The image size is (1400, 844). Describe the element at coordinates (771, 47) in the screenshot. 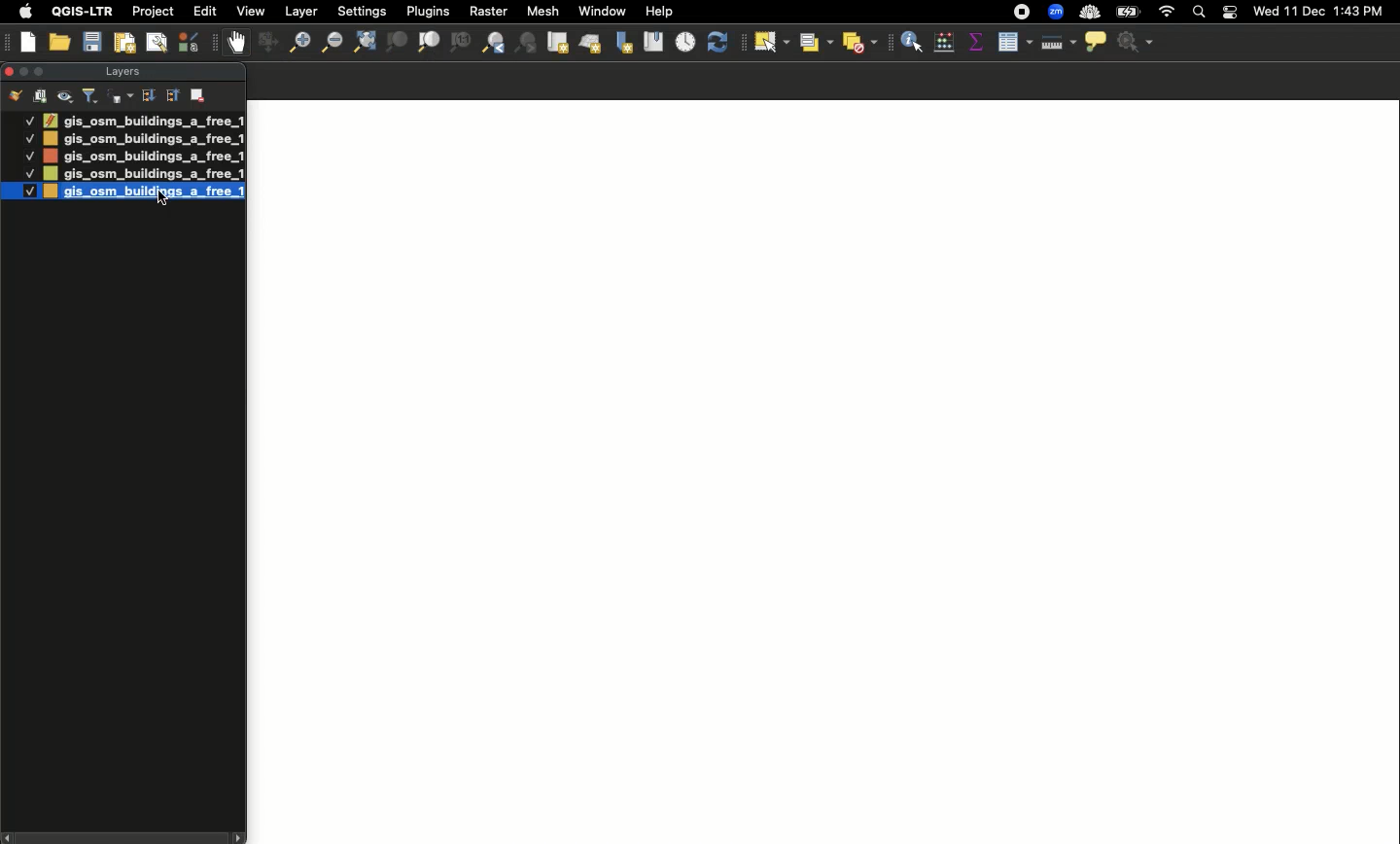

I see `Cursor` at that location.